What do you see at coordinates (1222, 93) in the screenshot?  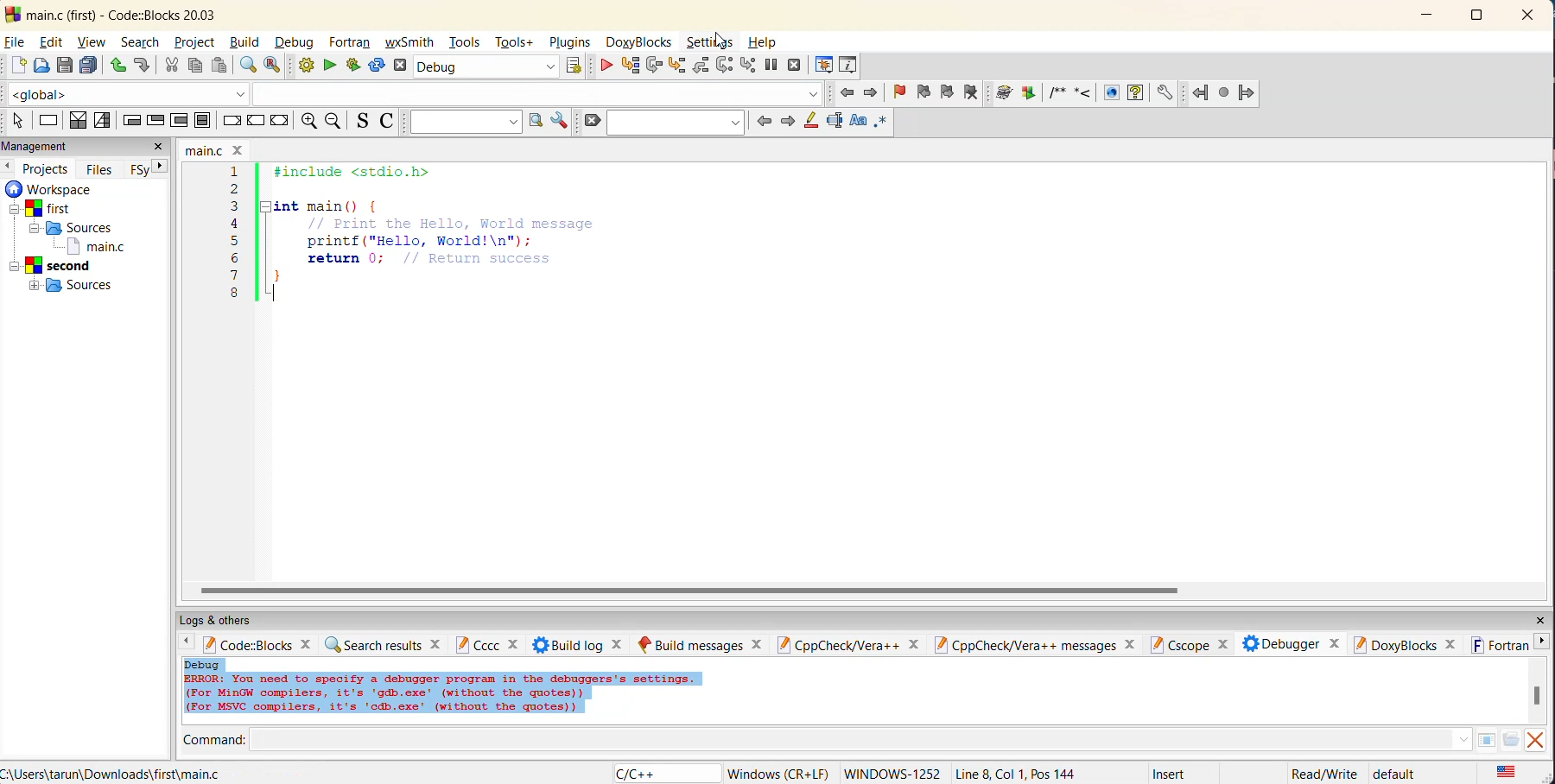 I see `Last jump` at bounding box center [1222, 93].